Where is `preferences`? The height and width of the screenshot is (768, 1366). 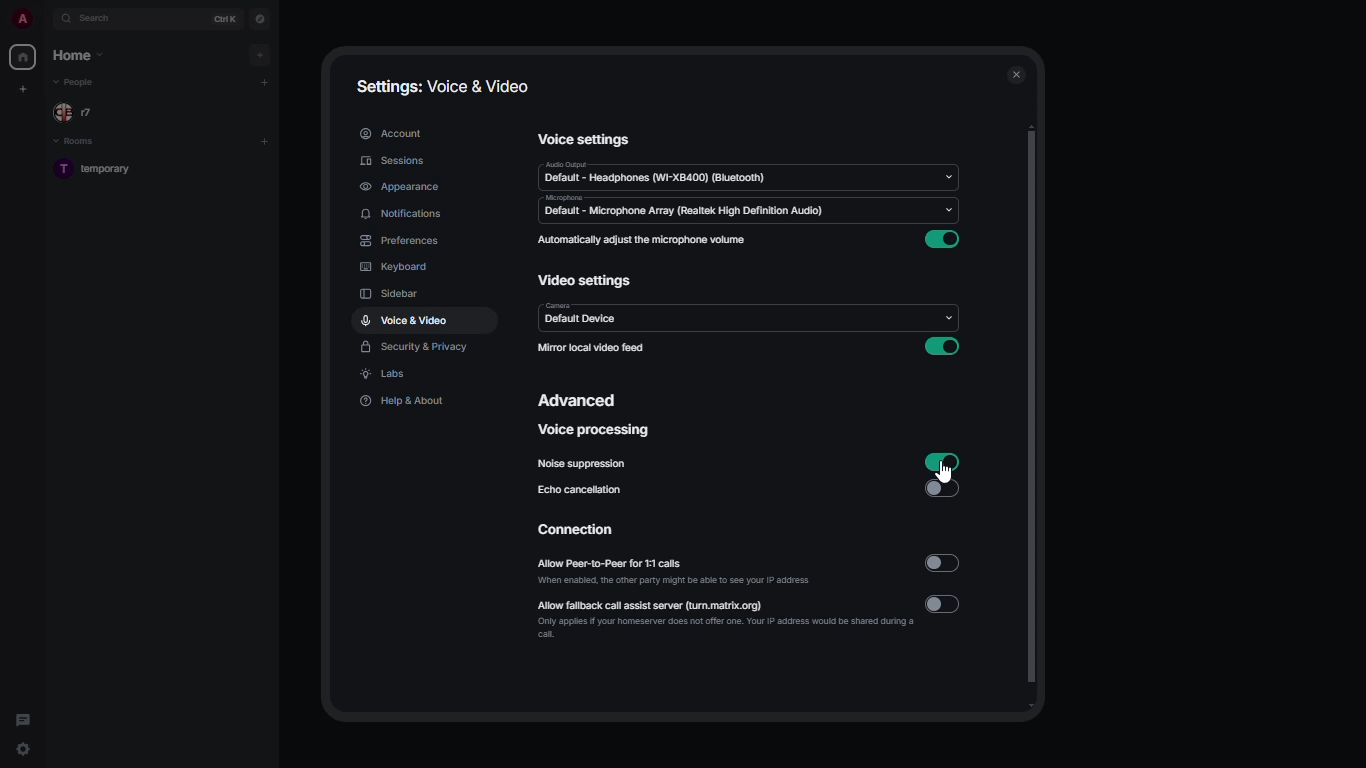
preferences is located at coordinates (399, 240).